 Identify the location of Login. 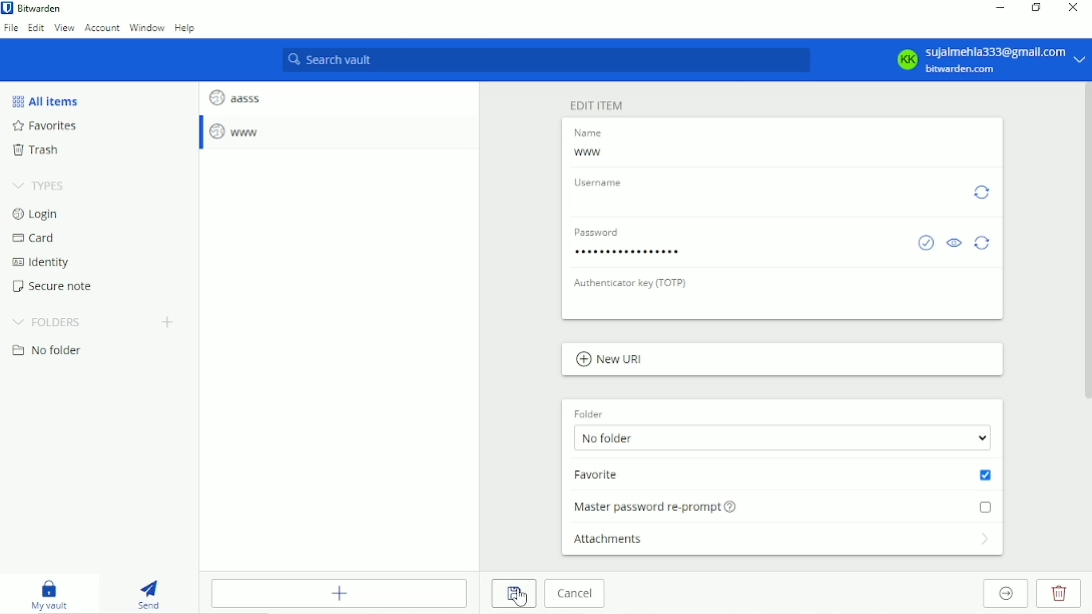
(35, 214).